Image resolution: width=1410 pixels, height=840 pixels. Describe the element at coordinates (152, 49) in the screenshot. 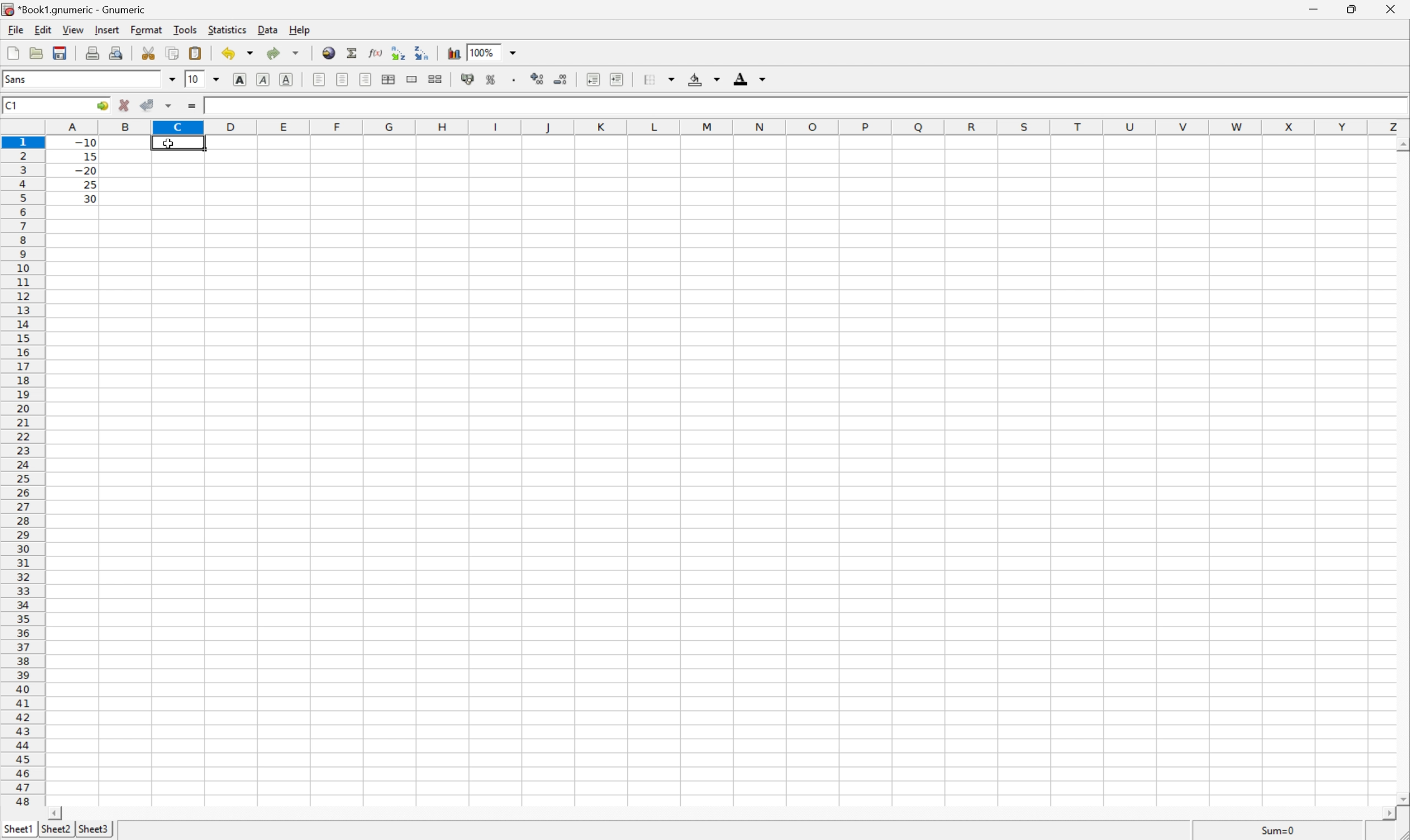

I see `Copy the selection` at that location.